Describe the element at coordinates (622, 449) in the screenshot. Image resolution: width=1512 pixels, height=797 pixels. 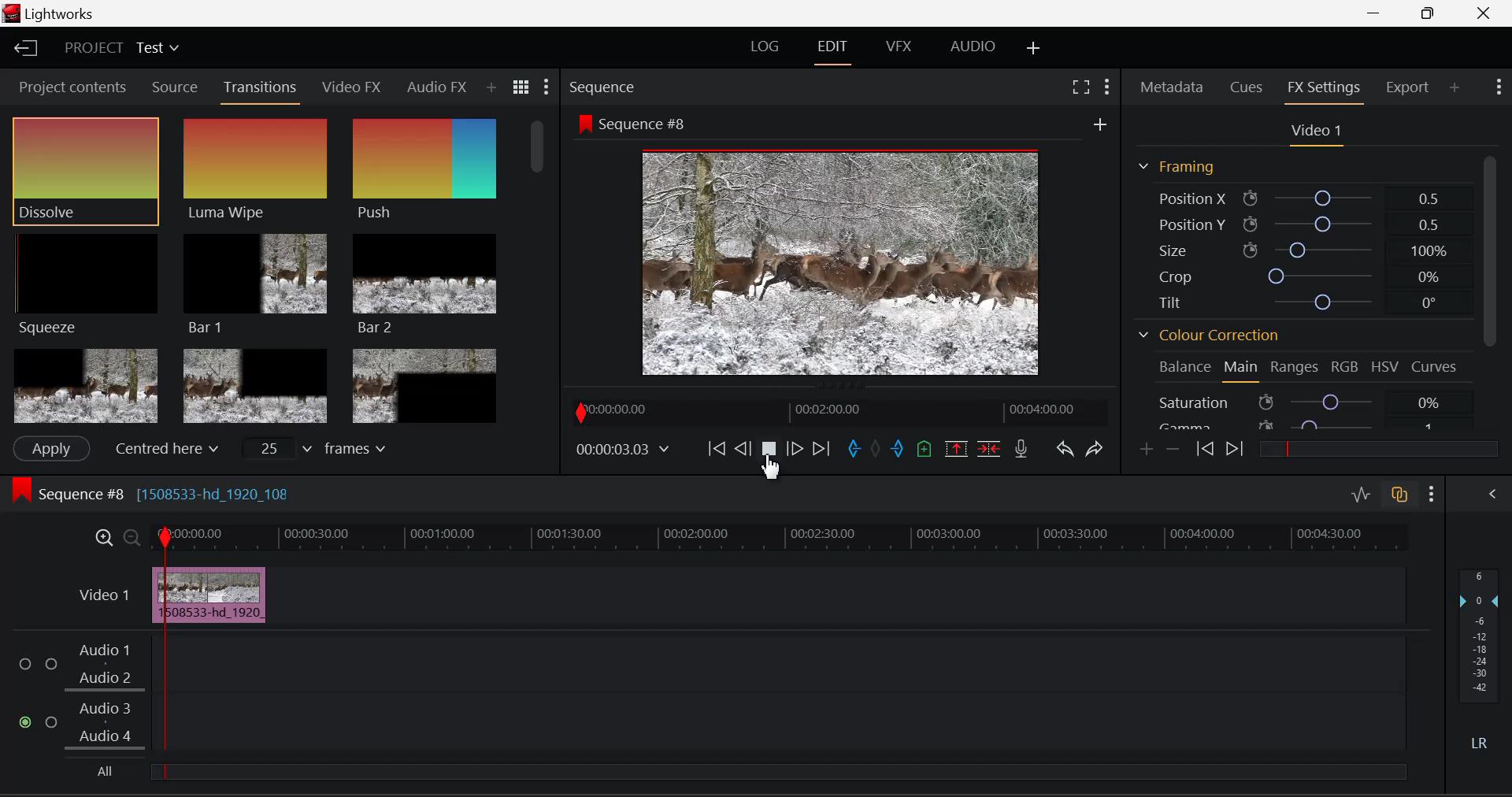
I see `Frame Time` at that location.